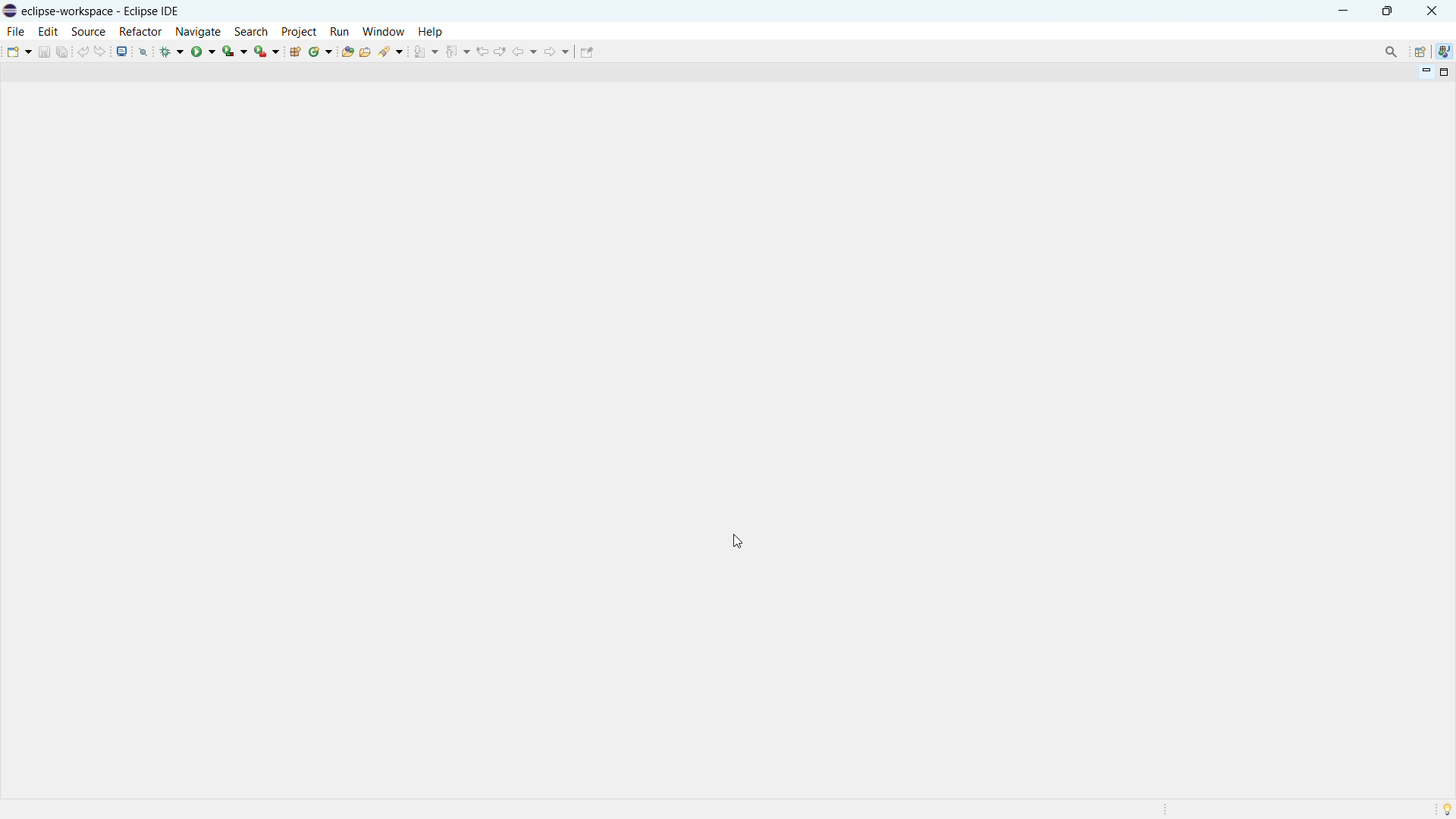 Image resolution: width=1456 pixels, height=819 pixels. What do you see at coordinates (203, 51) in the screenshot?
I see `run` at bounding box center [203, 51].